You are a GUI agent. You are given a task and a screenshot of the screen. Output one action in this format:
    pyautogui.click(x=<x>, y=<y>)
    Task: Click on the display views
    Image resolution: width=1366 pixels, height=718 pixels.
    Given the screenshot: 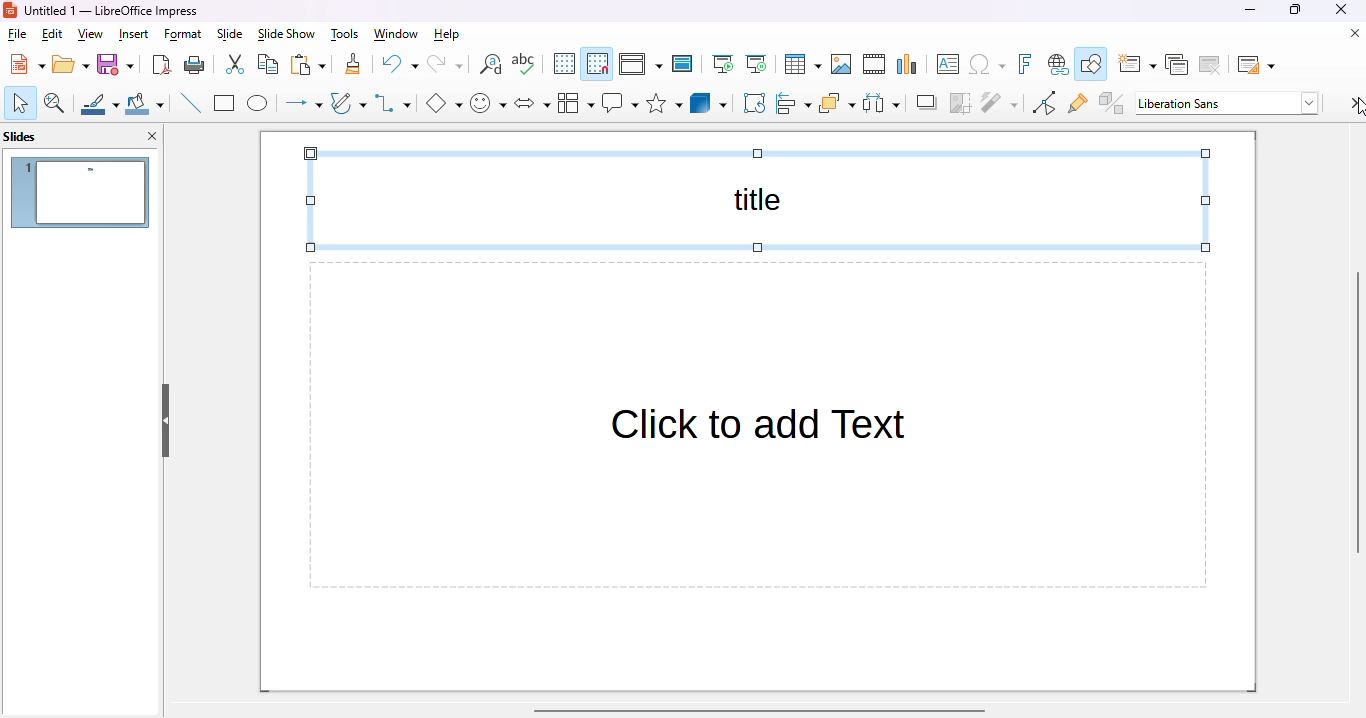 What is the action you would take?
    pyautogui.click(x=641, y=64)
    